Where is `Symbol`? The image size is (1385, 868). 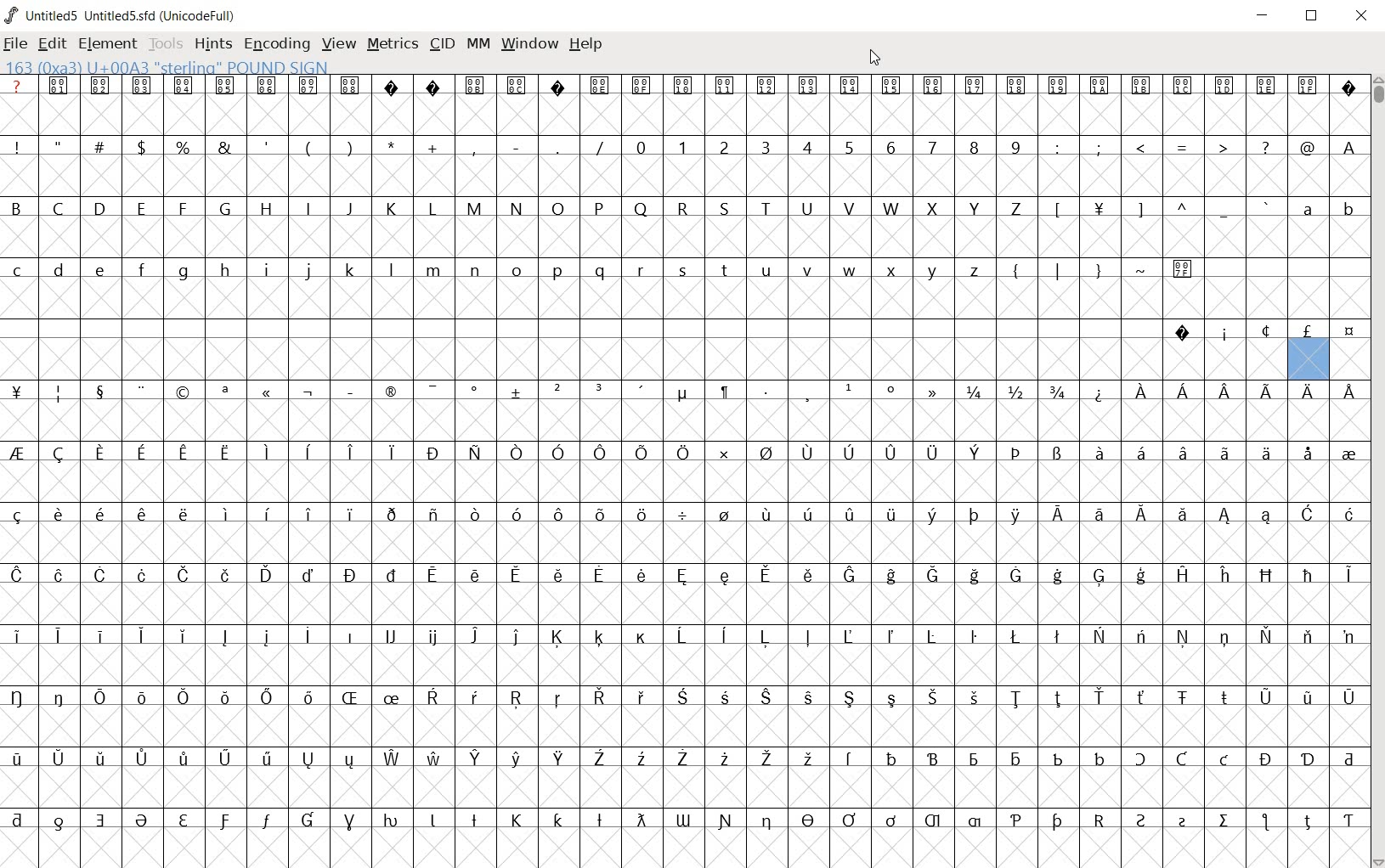 Symbol is located at coordinates (1099, 819).